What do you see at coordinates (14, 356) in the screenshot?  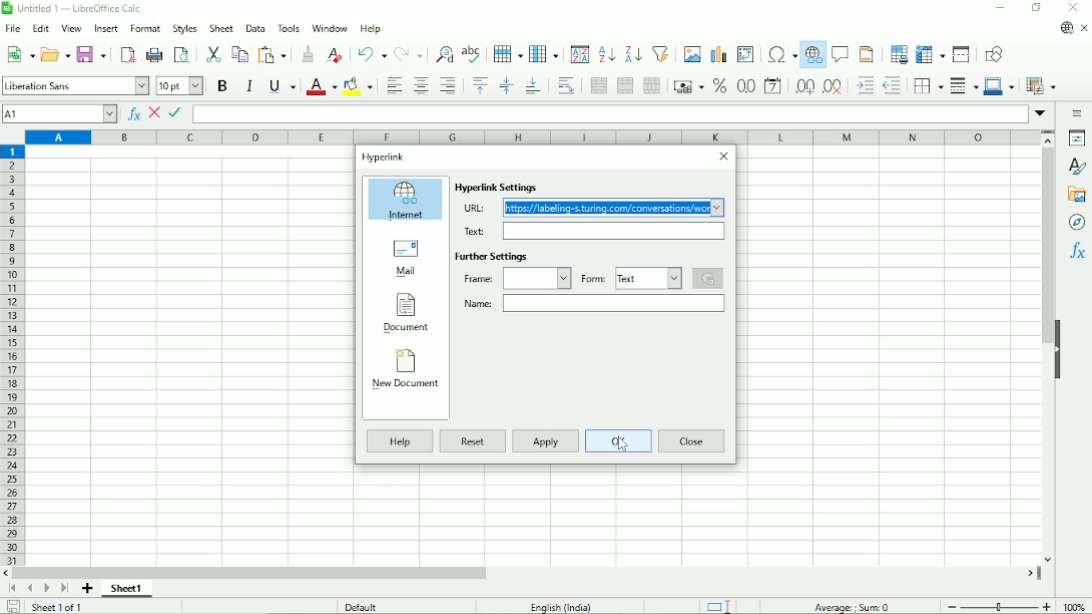 I see `Row headings` at bounding box center [14, 356].